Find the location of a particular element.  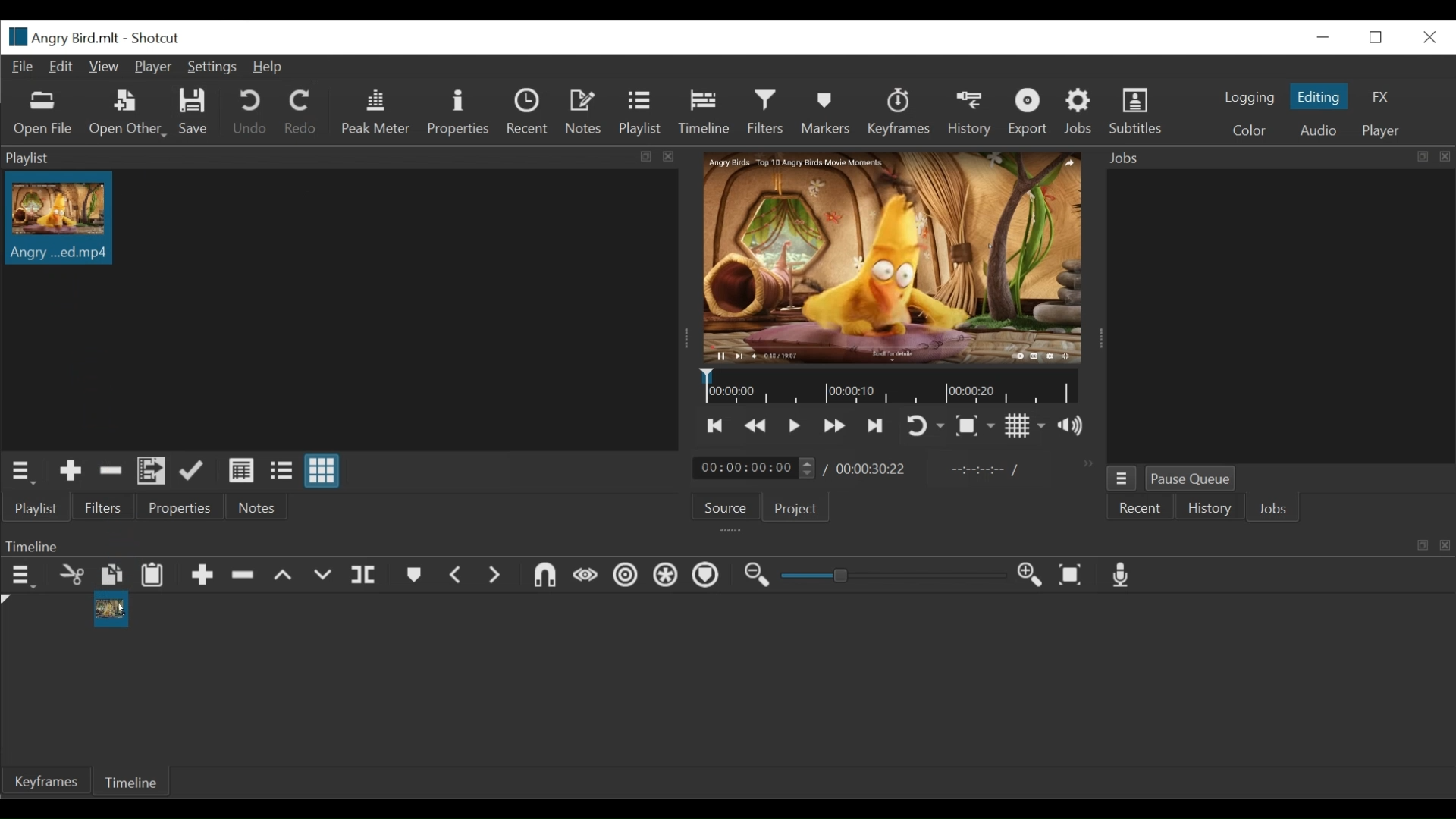

Timeline is located at coordinates (890, 387).